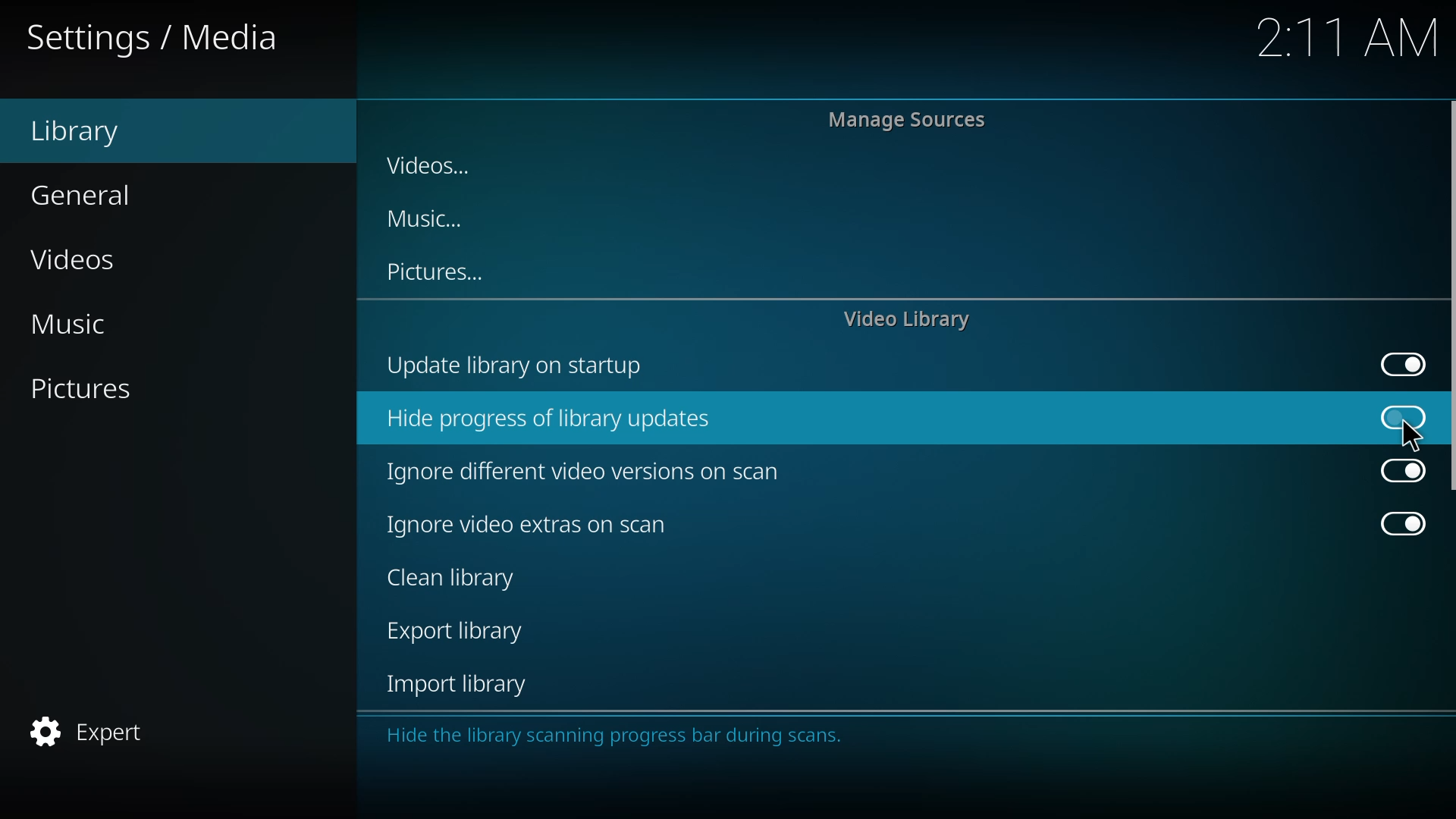  I want to click on enabled, so click(1397, 525).